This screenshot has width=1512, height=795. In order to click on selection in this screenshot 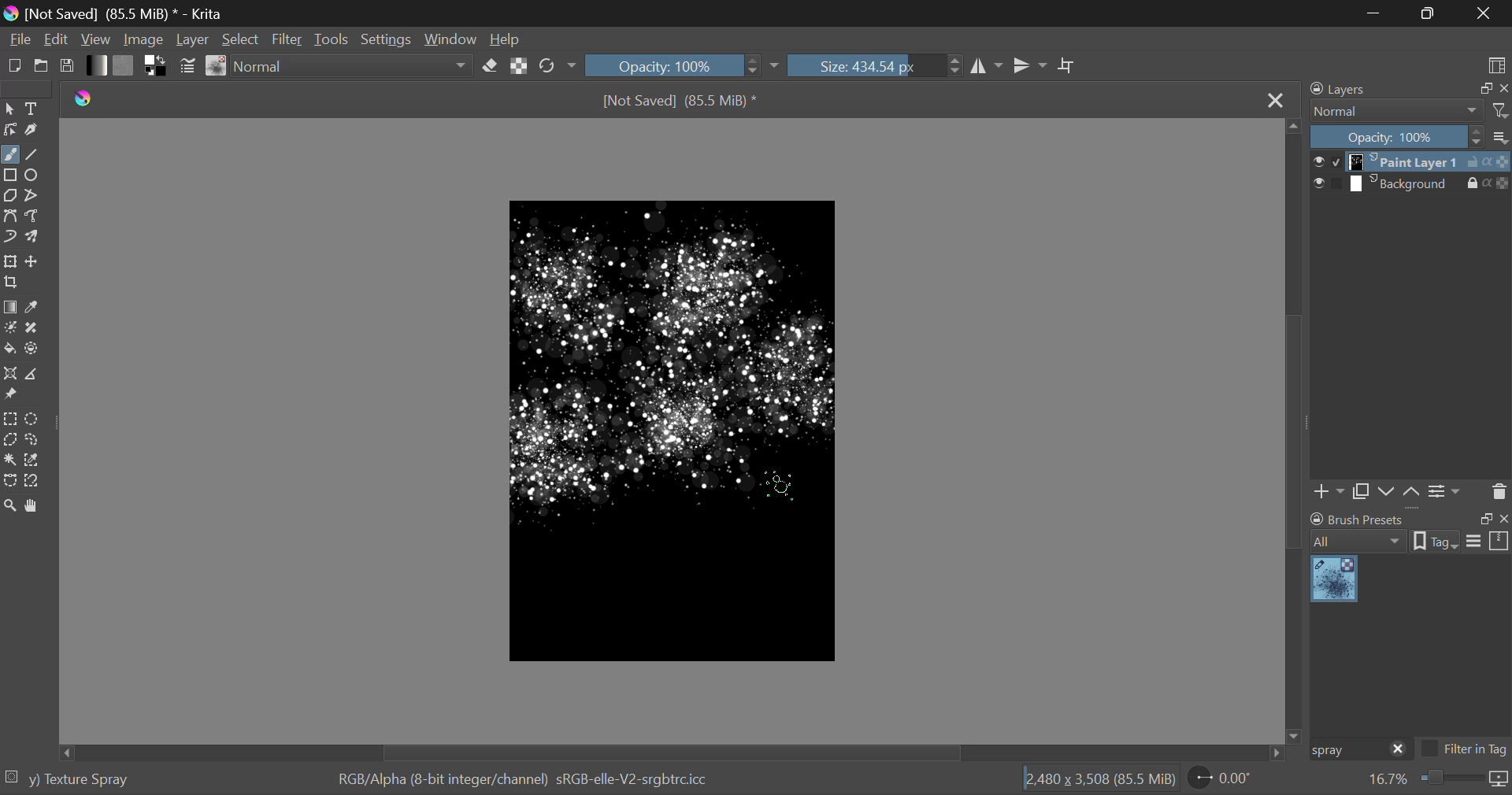, I will do `click(11, 775)`.